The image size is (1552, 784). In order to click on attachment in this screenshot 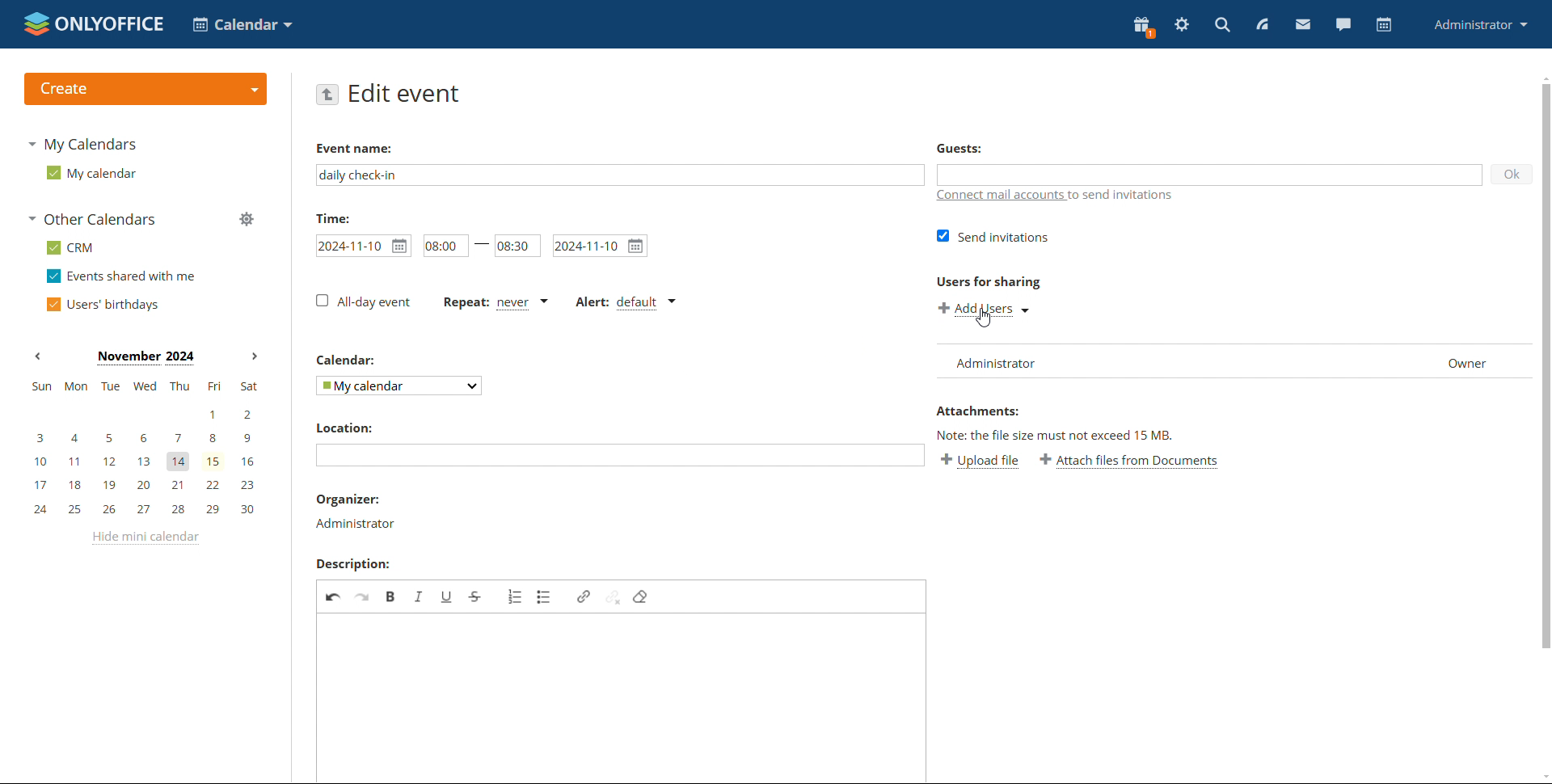, I will do `click(976, 411)`.